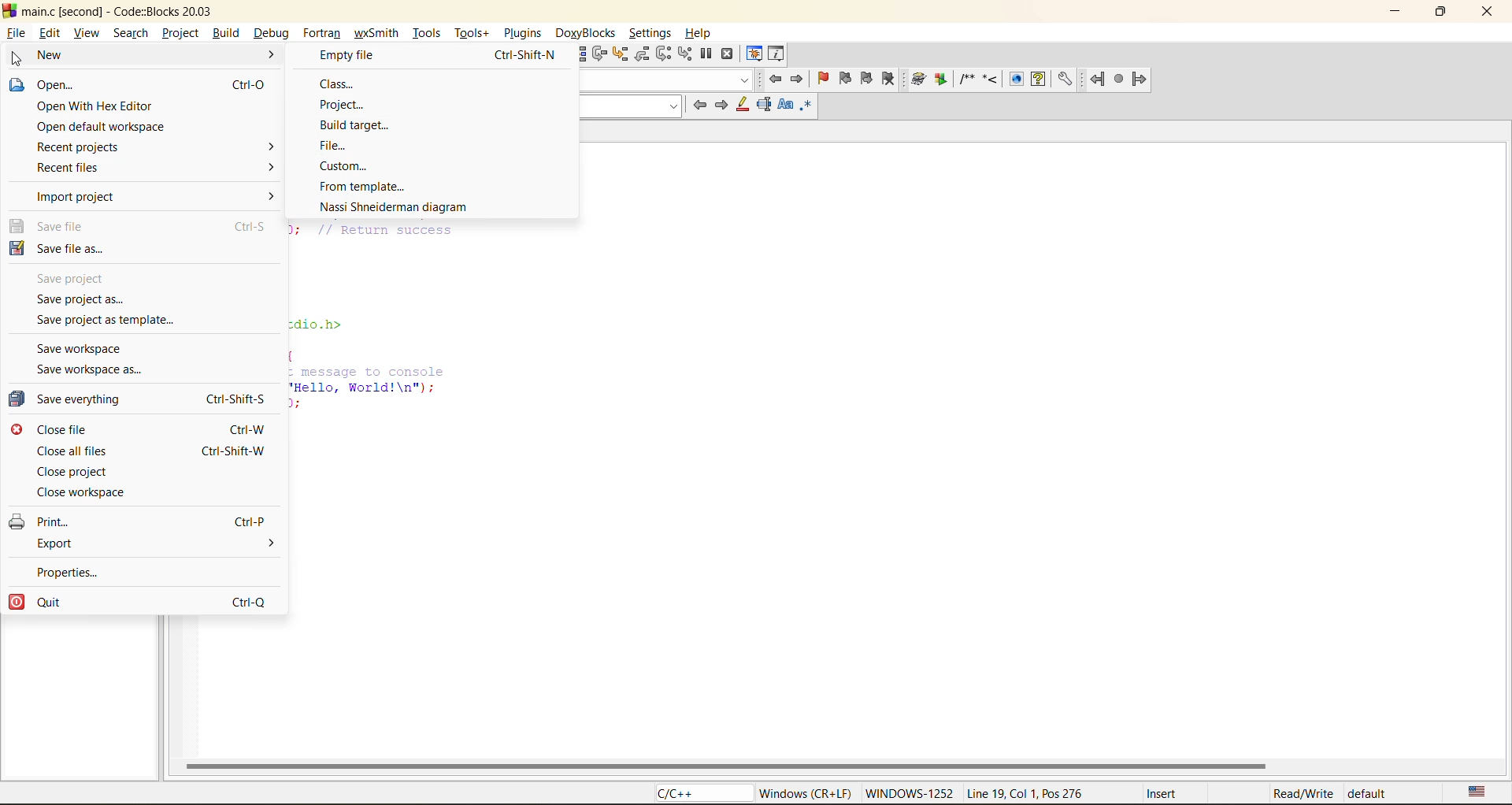 The width and height of the screenshot is (1512, 805). What do you see at coordinates (699, 106) in the screenshot?
I see `previous` at bounding box center [699, 106].